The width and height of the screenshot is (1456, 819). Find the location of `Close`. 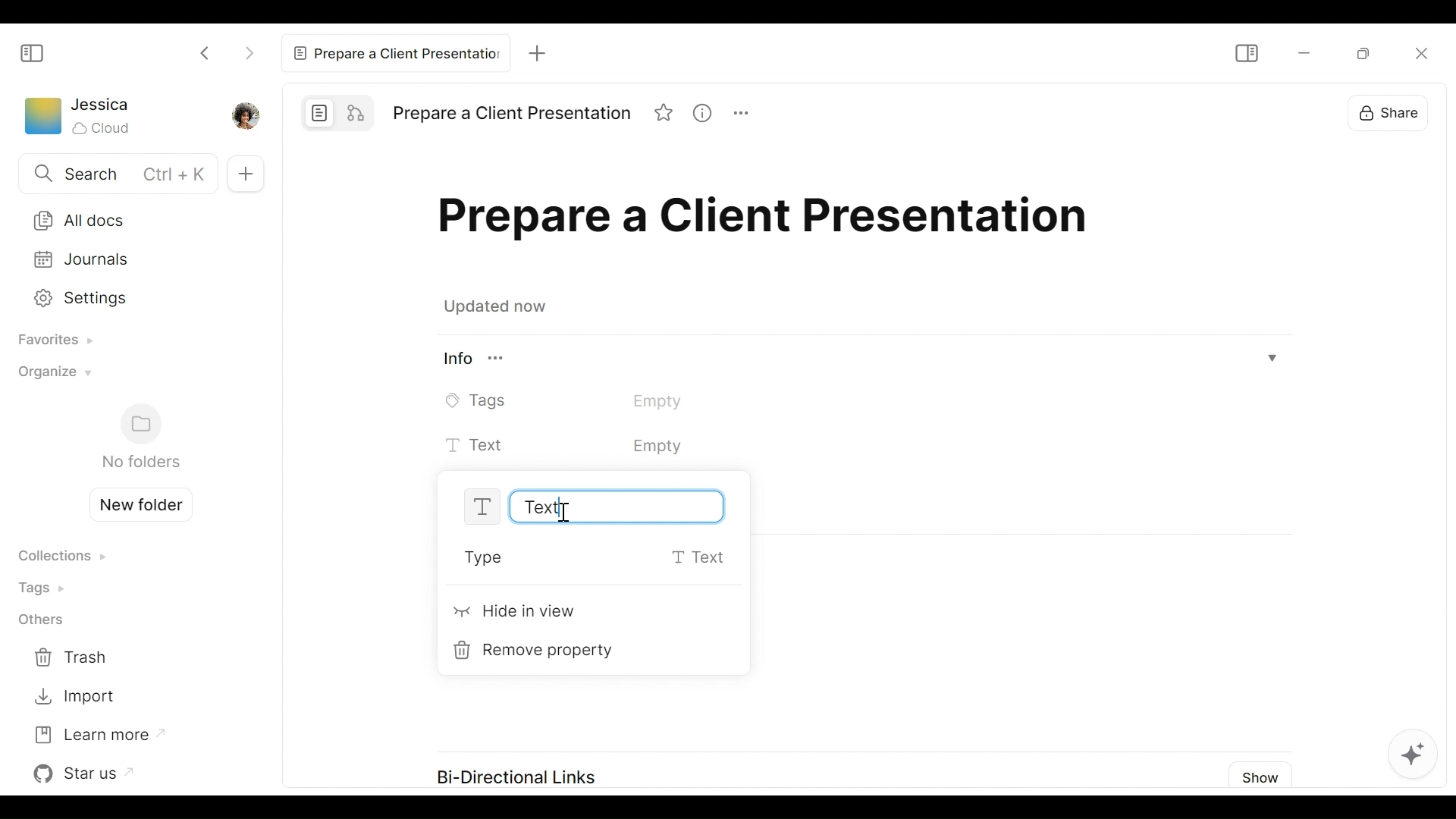

Close is located at coordinates (1427, 52).